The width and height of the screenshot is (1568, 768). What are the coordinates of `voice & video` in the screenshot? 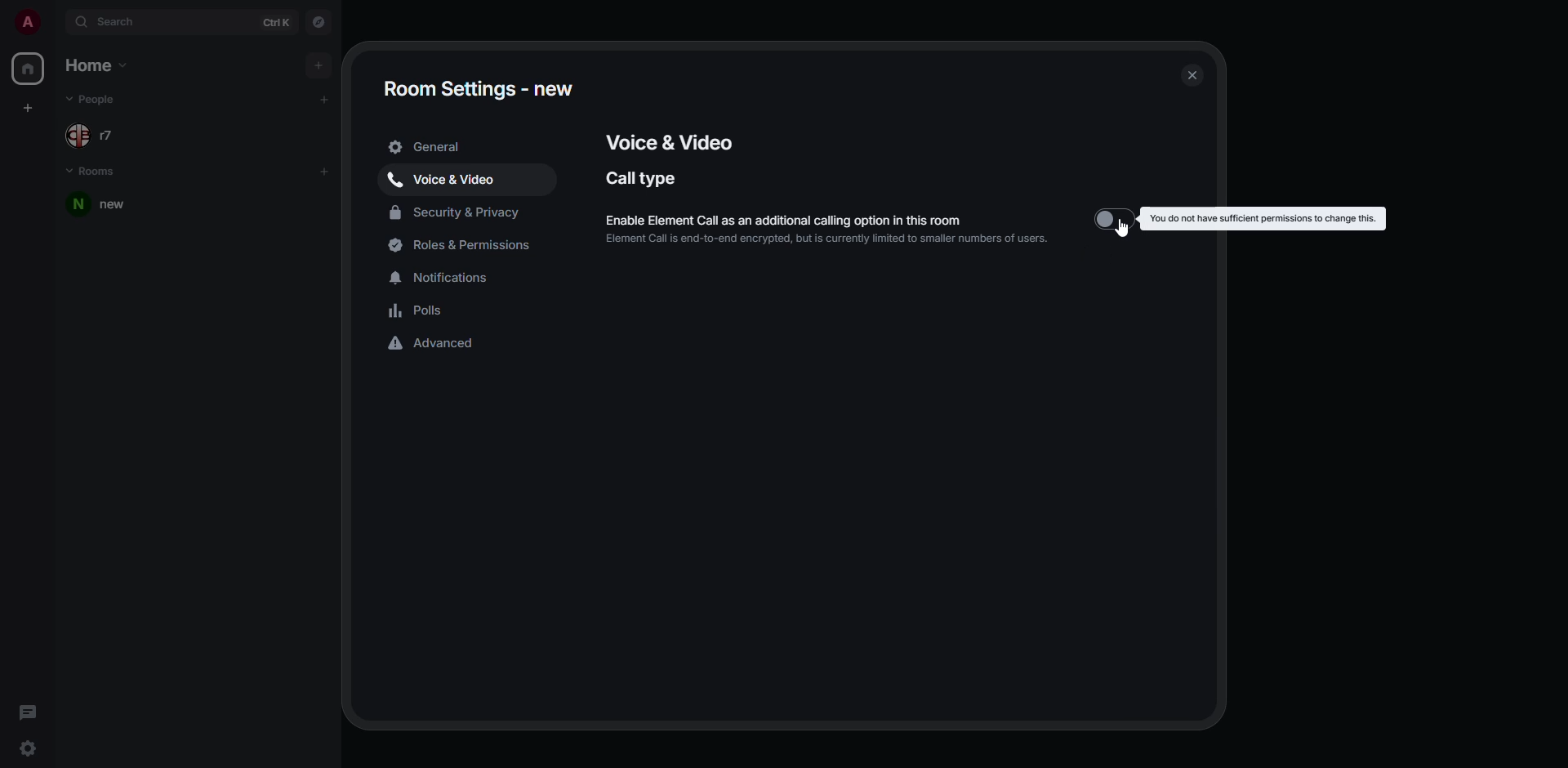 It's located at (669, 139).